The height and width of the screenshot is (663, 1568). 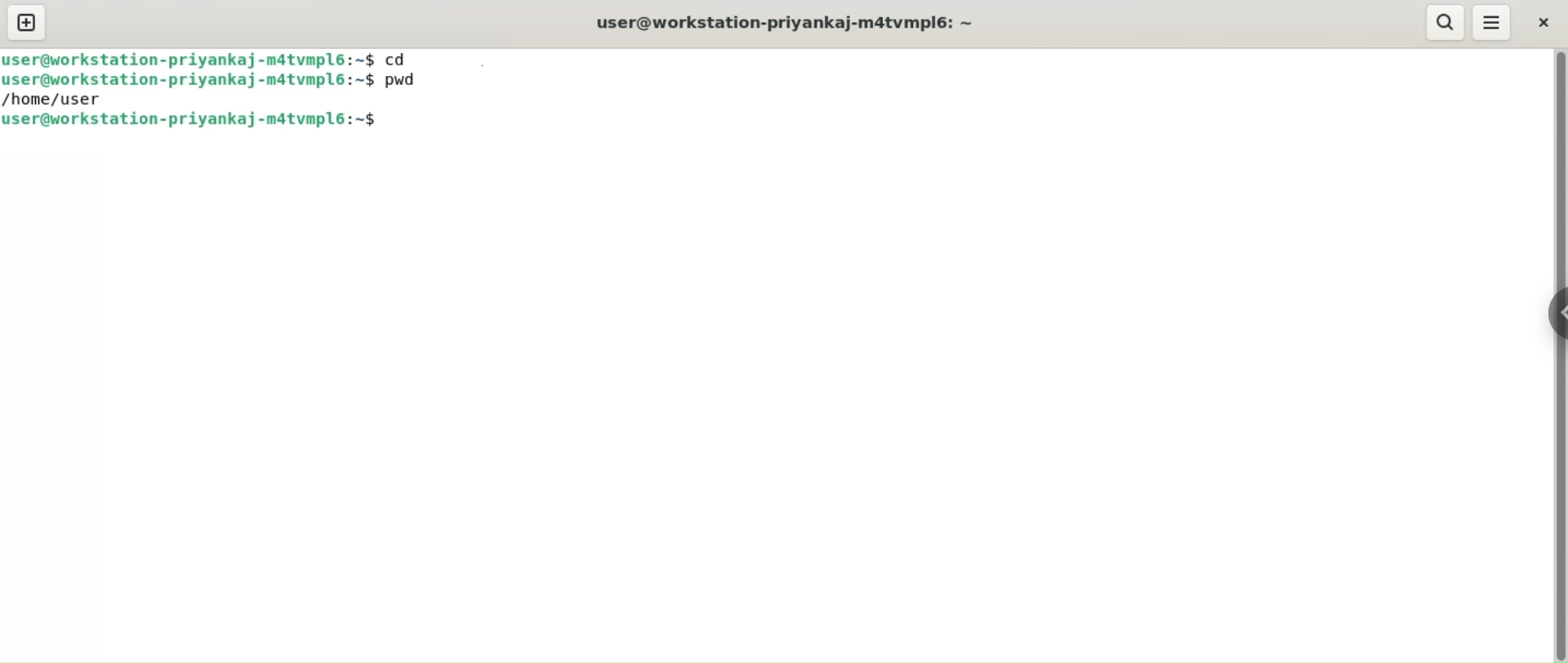 I want to click on new tab, so click(x=27, y=23).